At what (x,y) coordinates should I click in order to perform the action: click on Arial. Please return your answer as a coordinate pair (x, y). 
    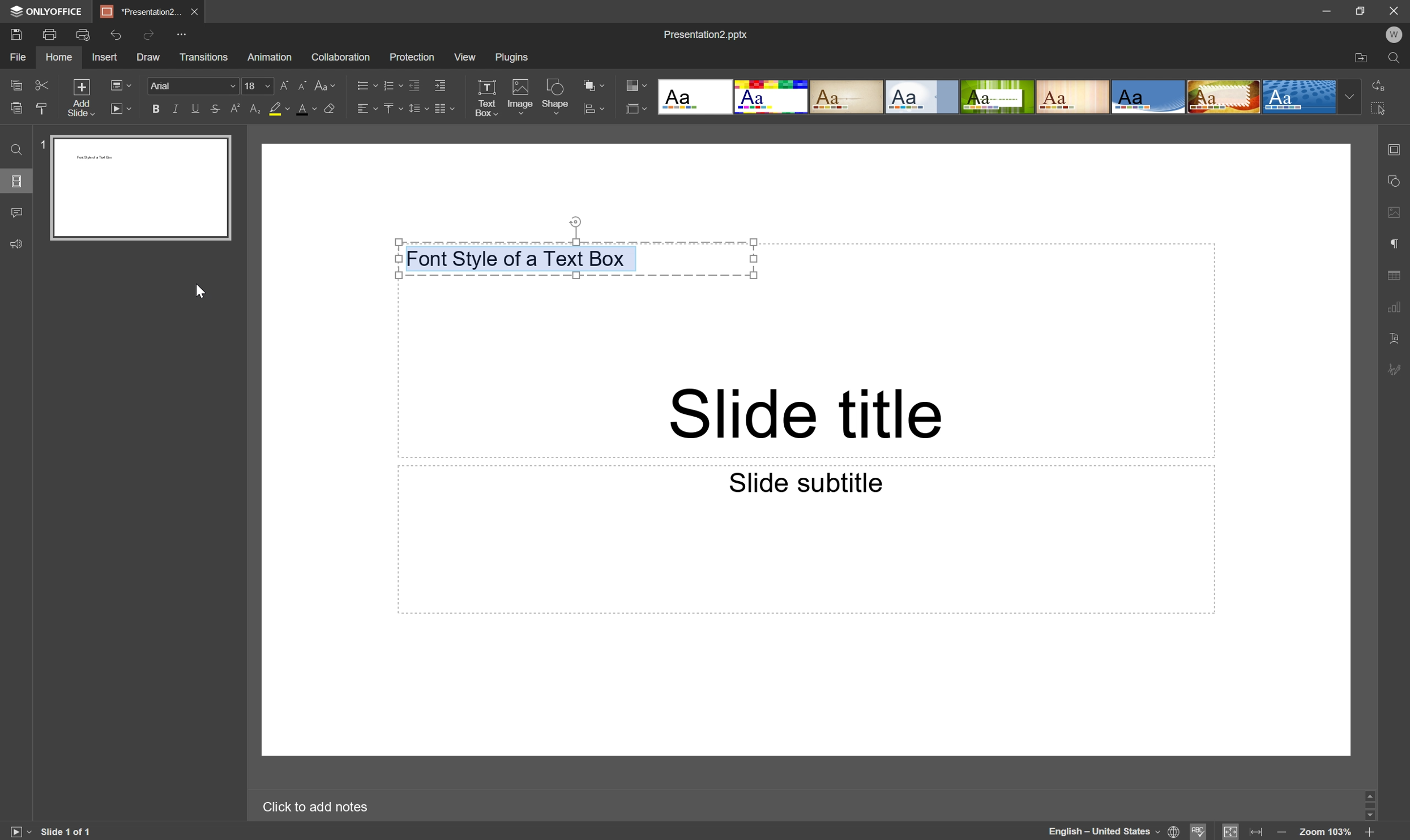
    Looking at the image, I should click on (192, 86).